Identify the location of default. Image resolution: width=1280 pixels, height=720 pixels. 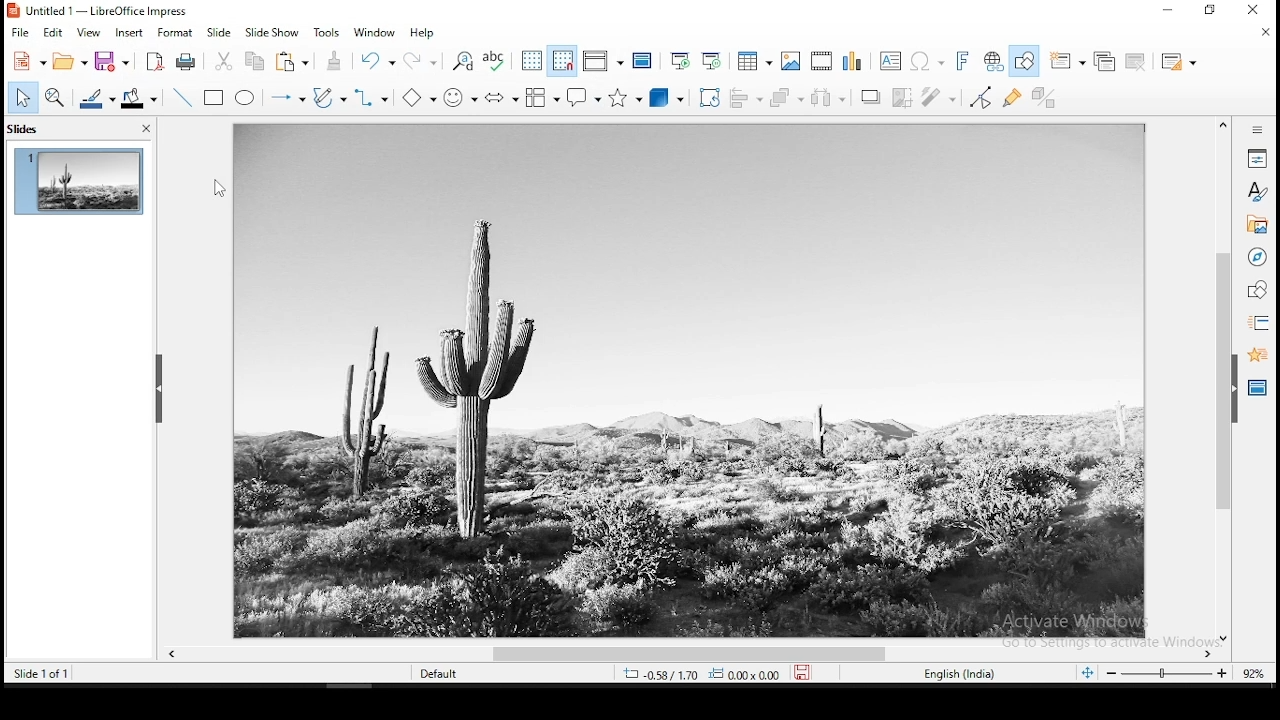
(426, 674).